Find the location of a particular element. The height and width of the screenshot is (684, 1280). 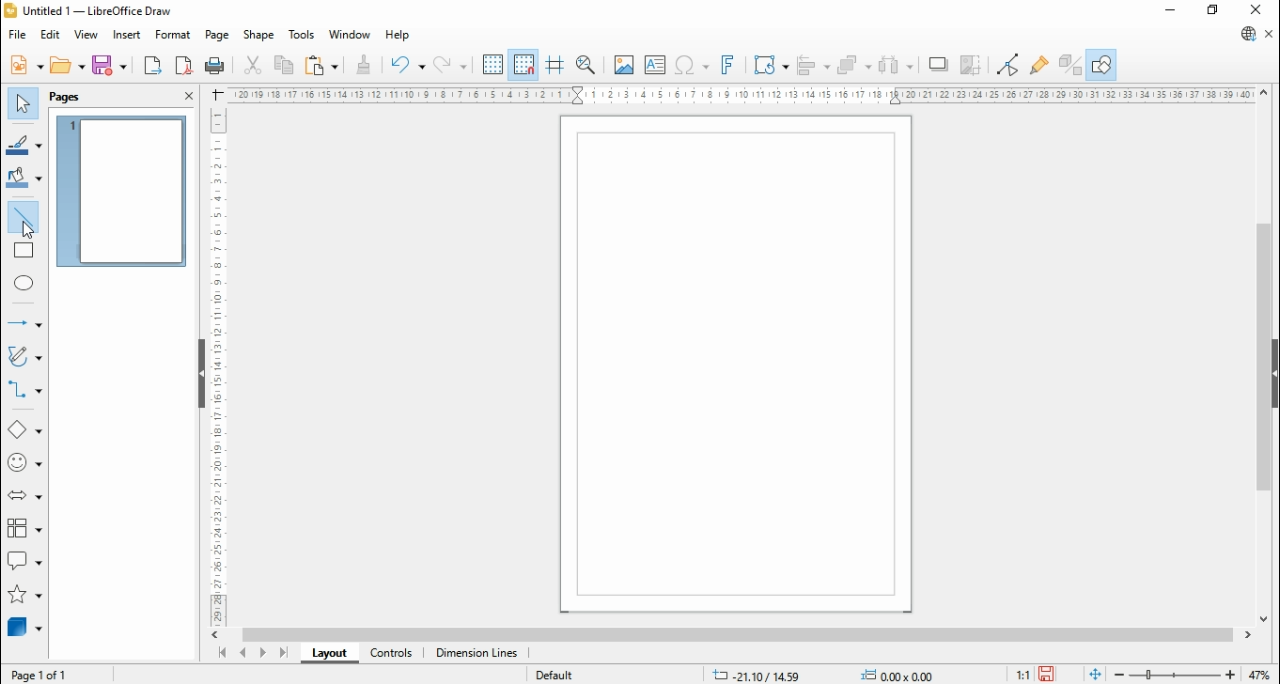

toggle point edit mode is located at coordinates (1008, 63).